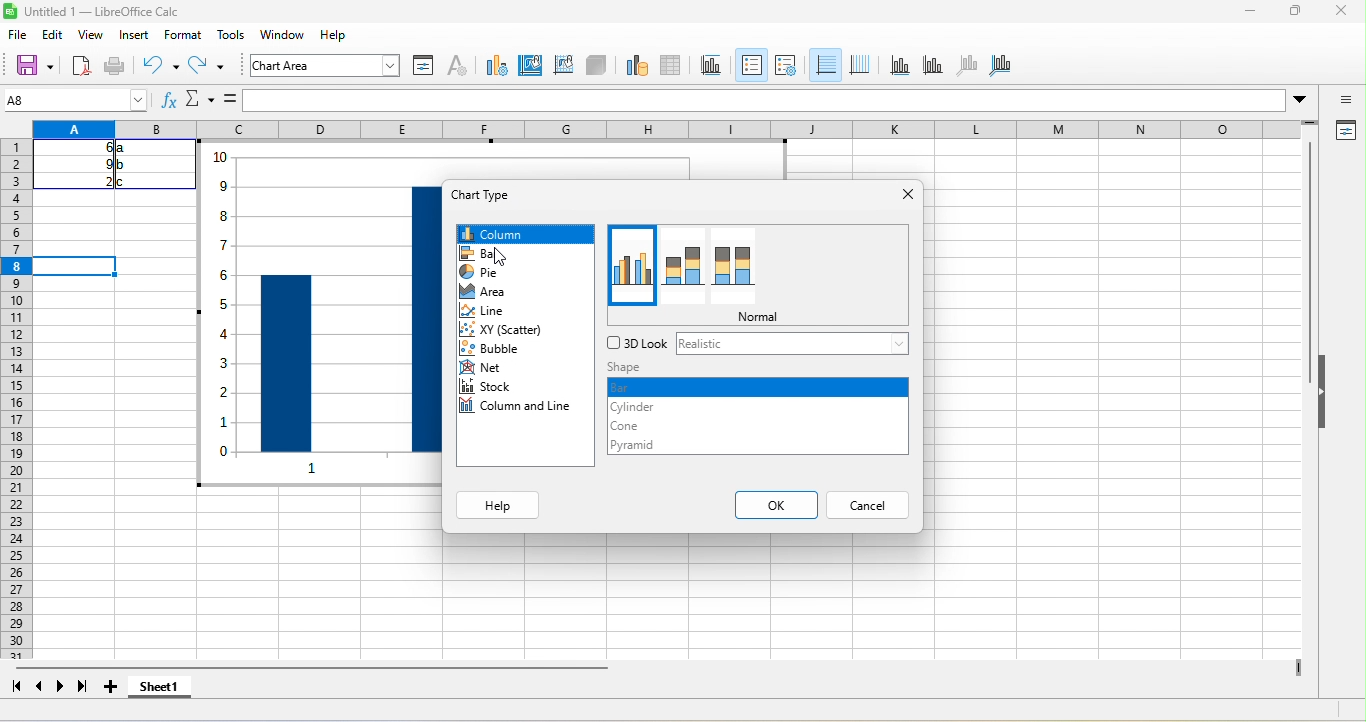 The image size is (1366, 722). Describe the element at coordinates (497, 311) in the screenshot. I see `line` at that location.